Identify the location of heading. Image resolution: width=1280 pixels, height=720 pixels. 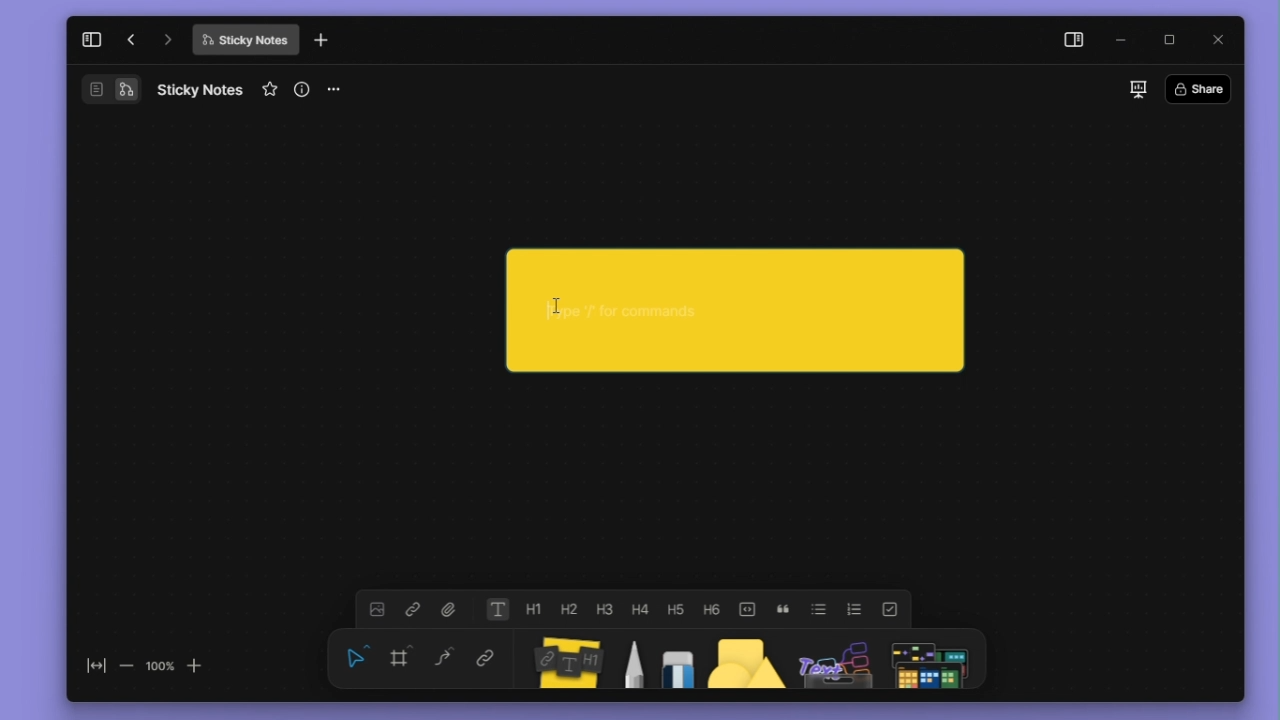
(718, 611).